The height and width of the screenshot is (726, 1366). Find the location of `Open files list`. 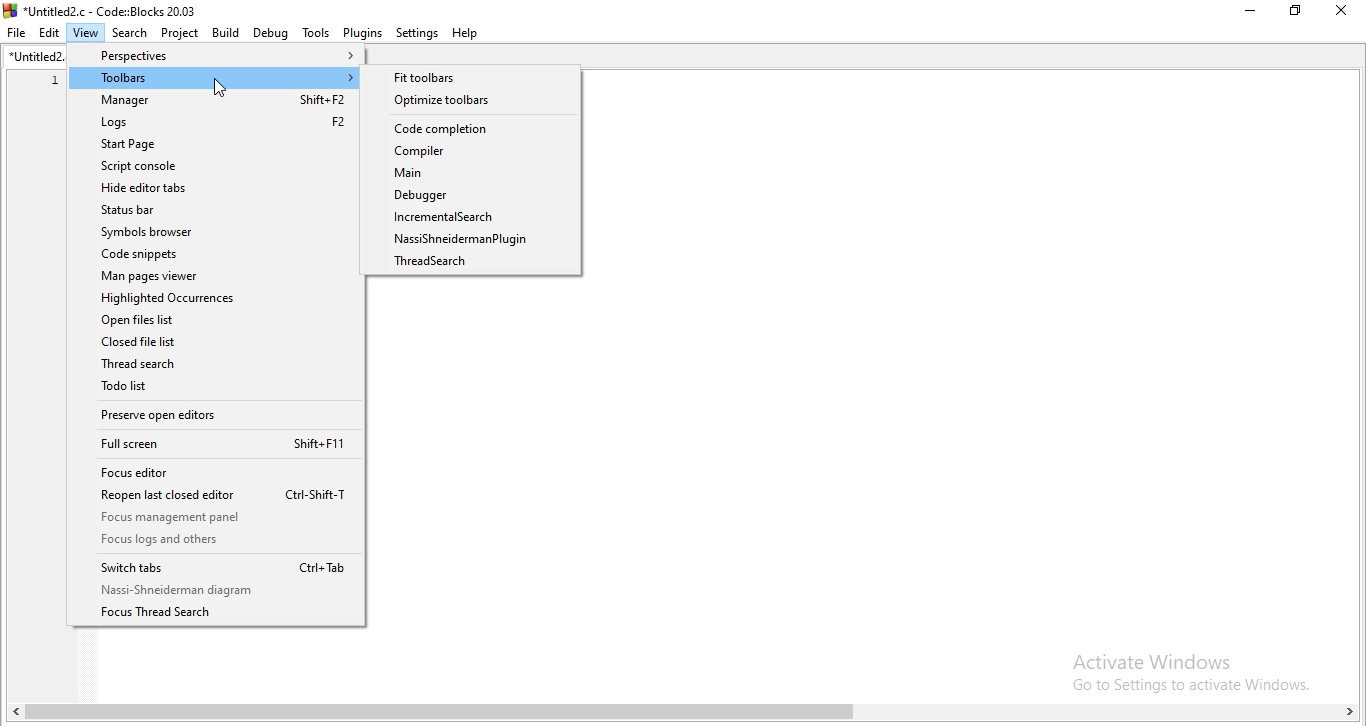

Open files list is located at coordinates (207, 323).